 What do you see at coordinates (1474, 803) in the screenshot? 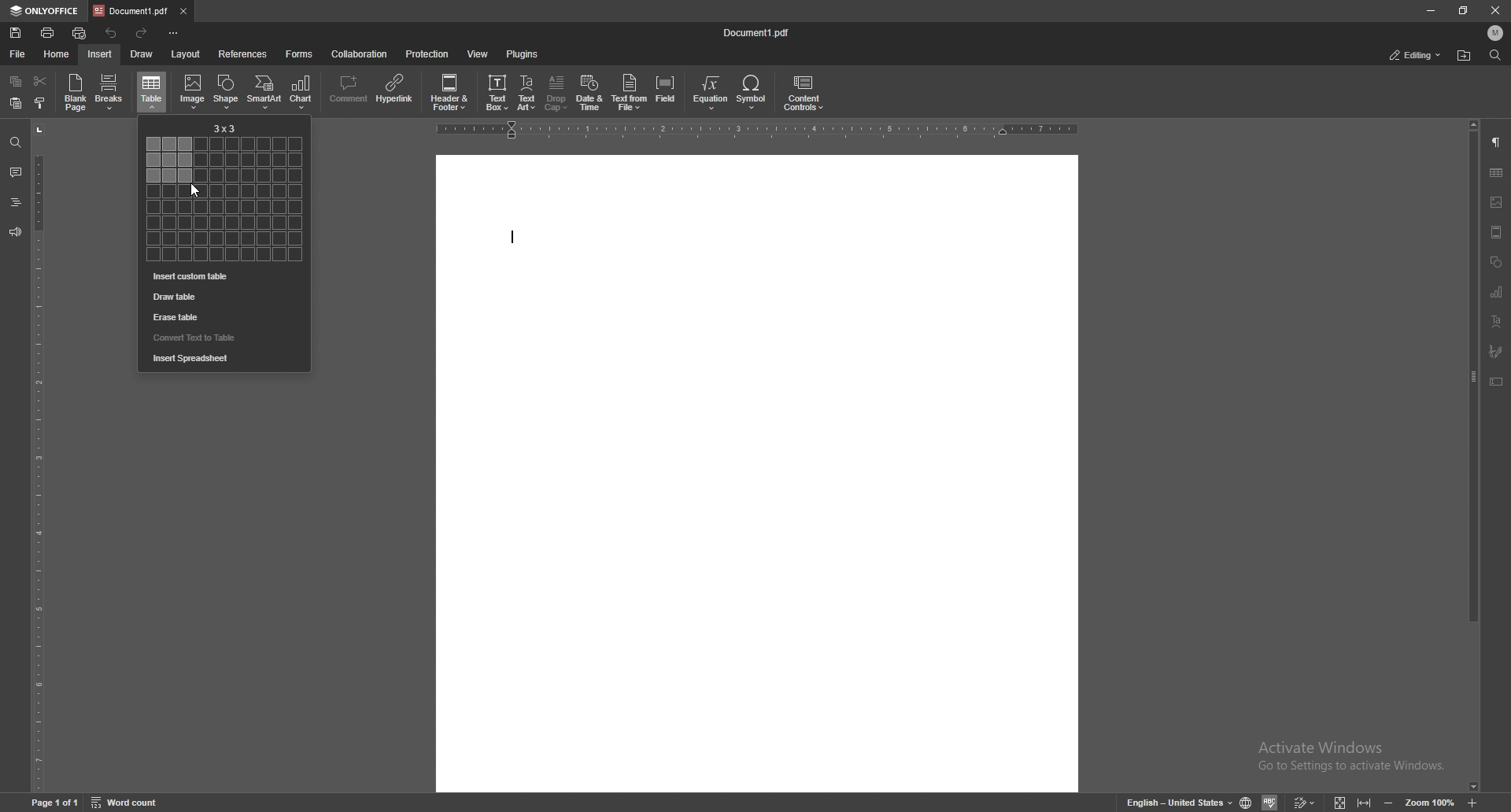
I see `zoom out` at bounding box center [1474, 803].